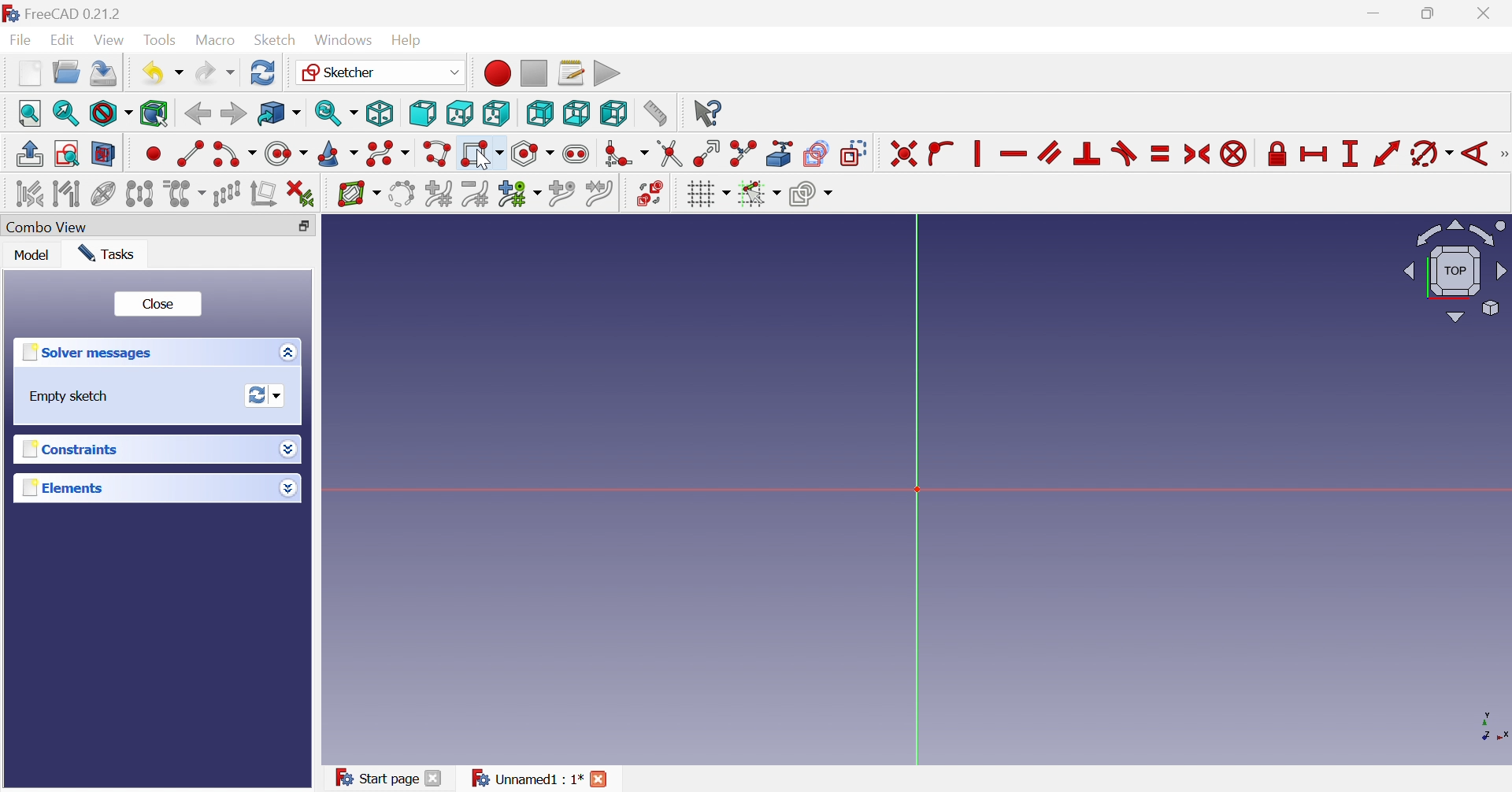 This screenshot has width=1512, height=792. What do you see at coordinates (706, 113) in the screenshot?
I see `What's this?` at bounding box center [706, 113].